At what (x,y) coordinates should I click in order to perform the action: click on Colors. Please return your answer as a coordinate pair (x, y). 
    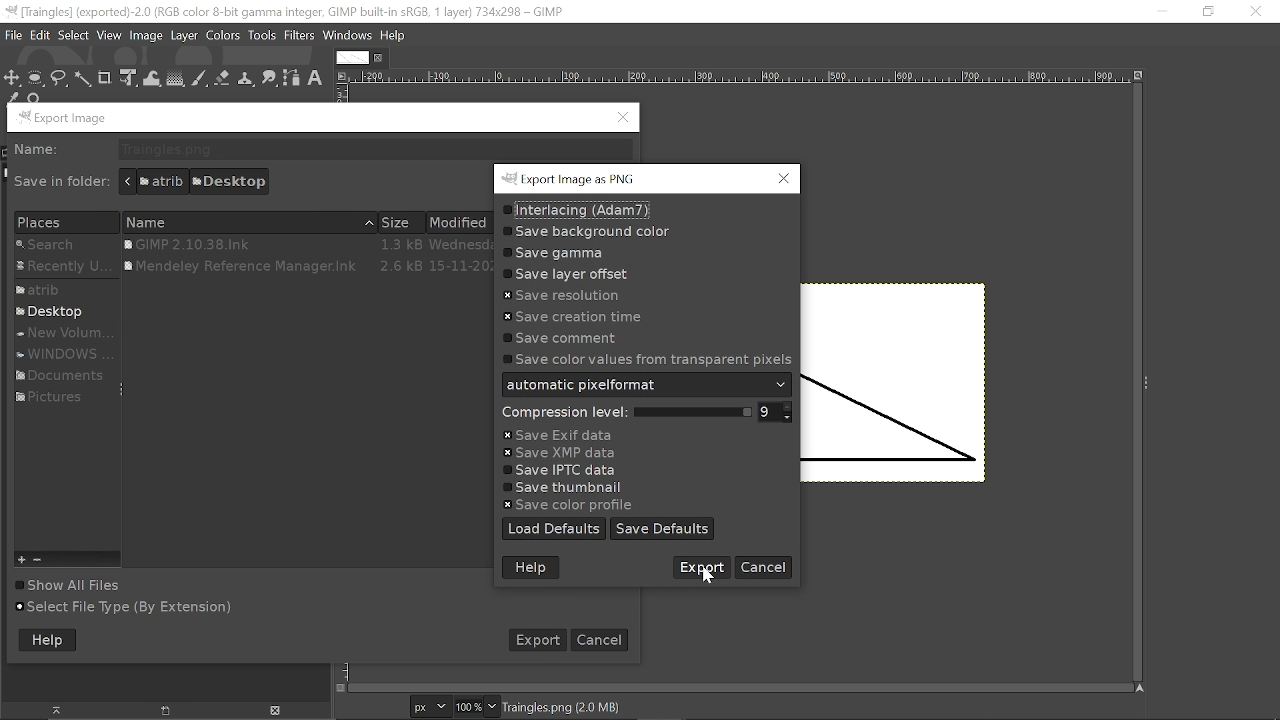
    Looking at the image, I should click on (224, 37).